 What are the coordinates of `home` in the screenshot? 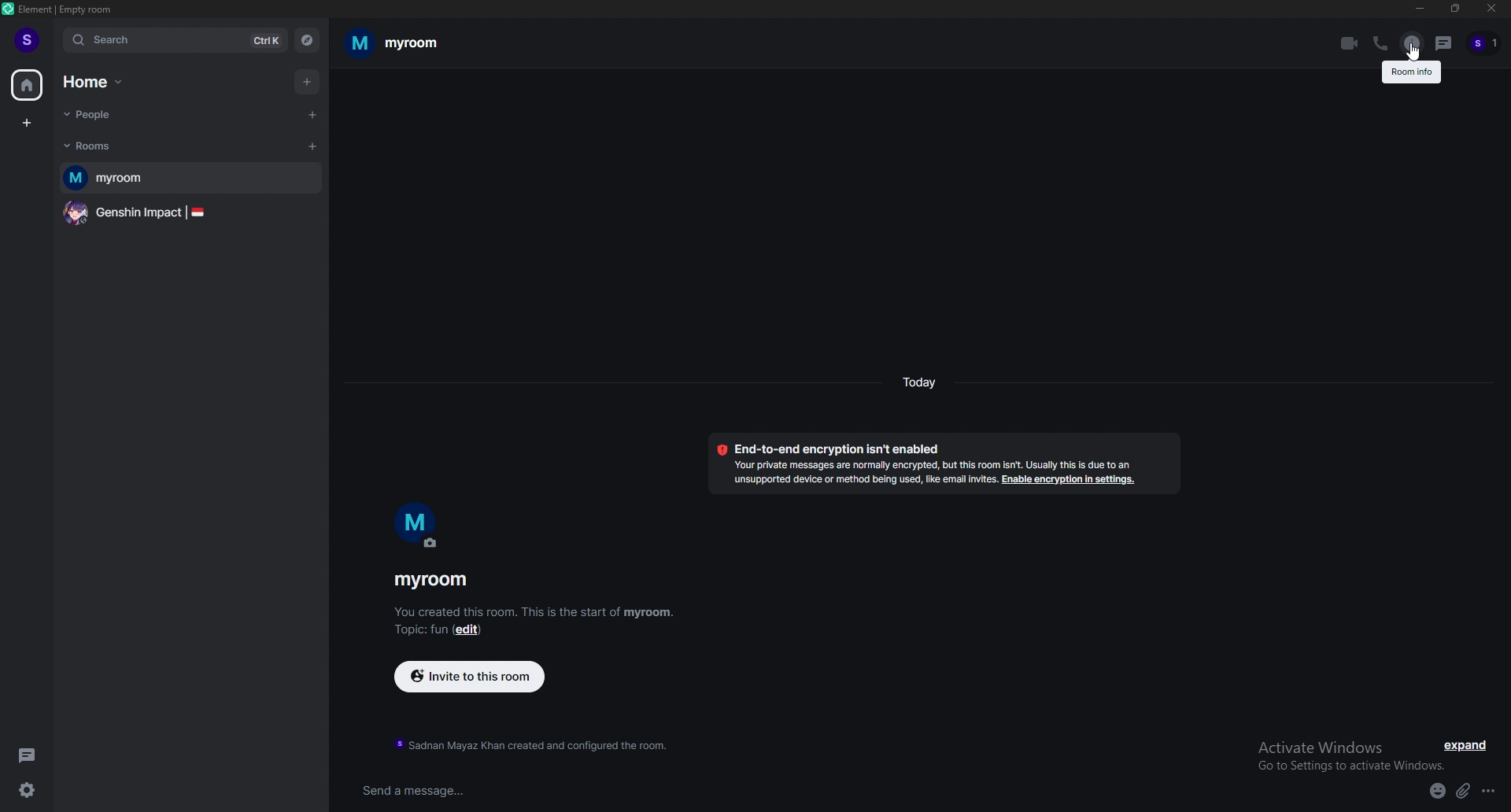 It's located at (28, 85).